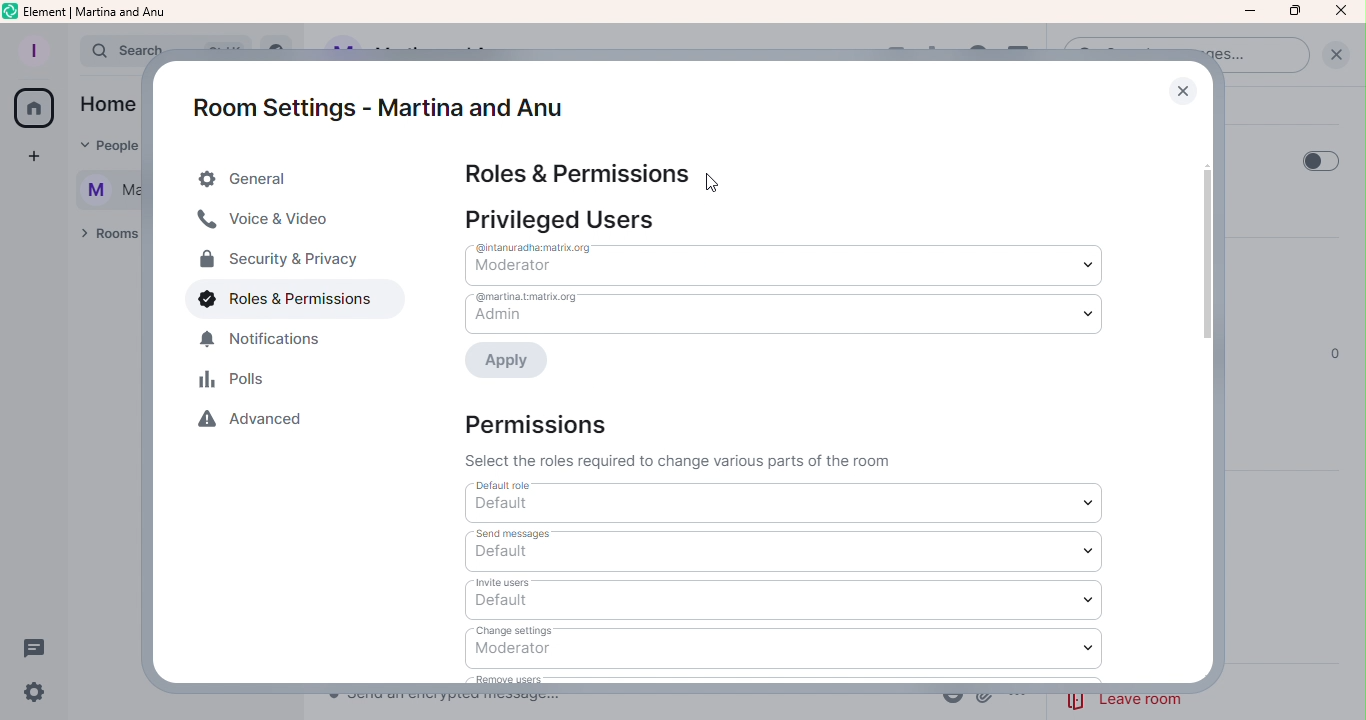 The height and width of the screenshot is (720, 1366). What do you see at coordinates (280, 303) in the screenshot?
I see `Roles and permissions` at bounding box center [280, 303].